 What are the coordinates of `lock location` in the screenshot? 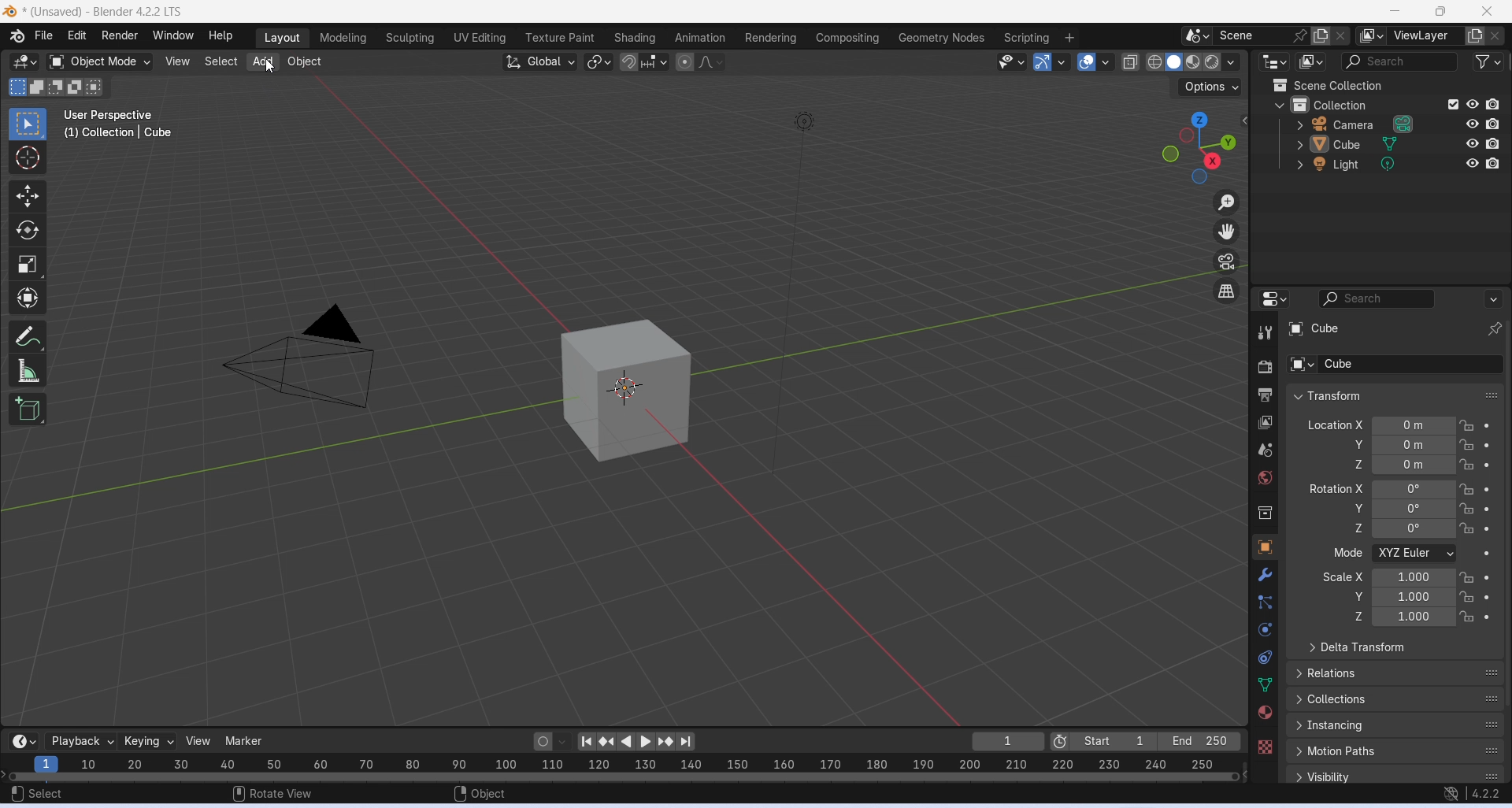 It's located at (1466, 489).